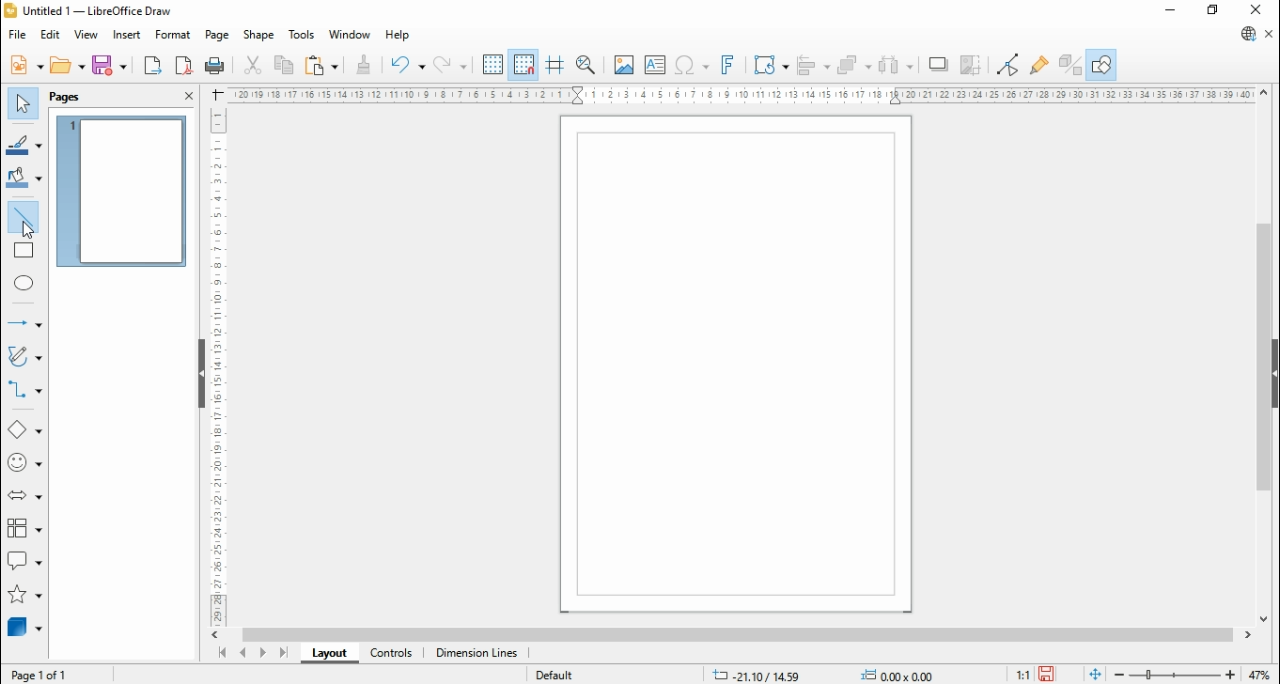 The height and width of the screenshot is (684, 1280). What do you see at coordinates (41, 673) in the screenshot?
I see `page 1 of 1` at bounding box center [41, 673].